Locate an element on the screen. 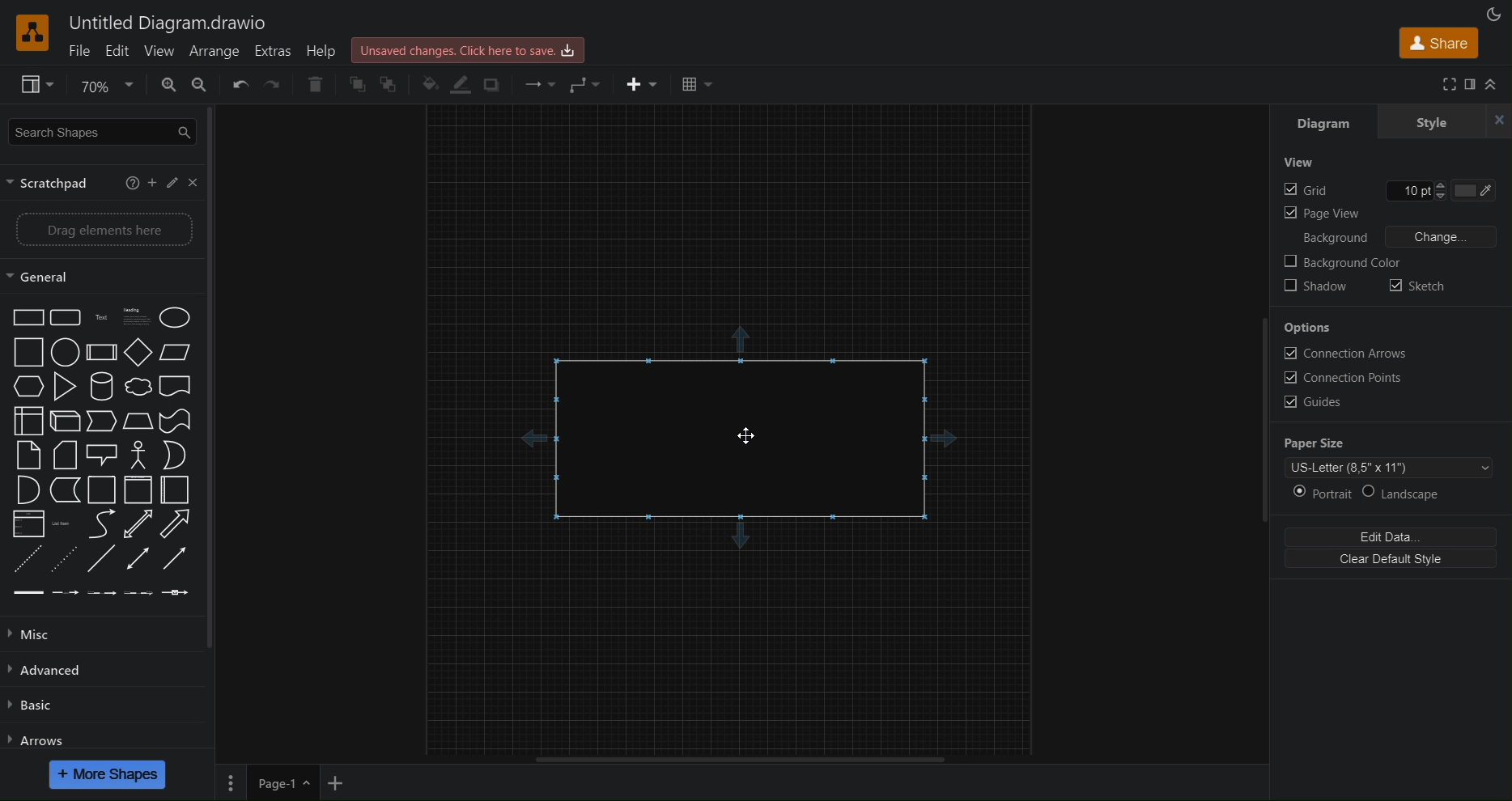 The height and width of the screenshot is (801, 1512). question is located at coordinates (131, 183).